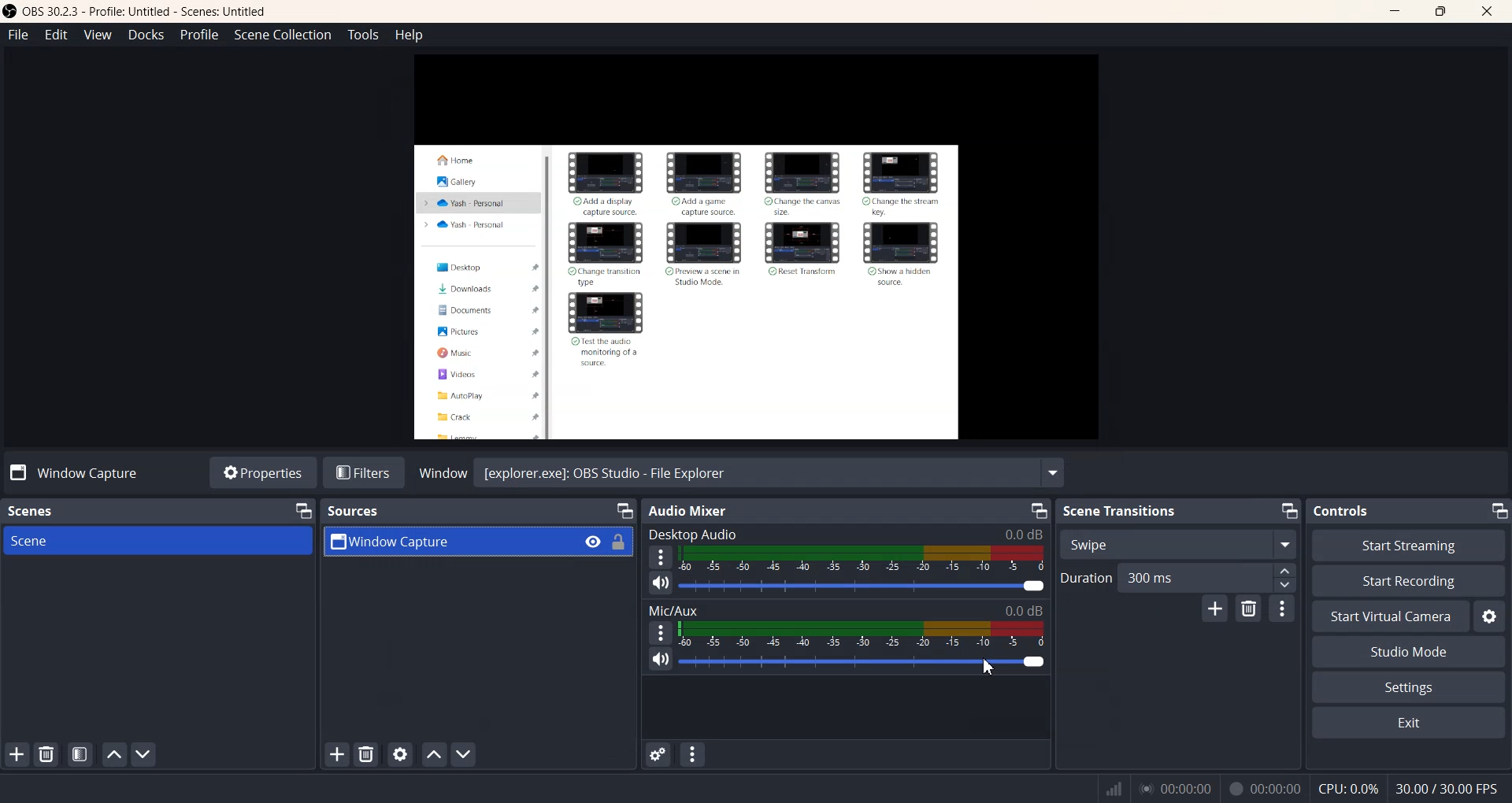 This screenshot has height=803, width=1512. Describe the element at coordinates (439, 472) in the screenshot. I see `Window` at that location.